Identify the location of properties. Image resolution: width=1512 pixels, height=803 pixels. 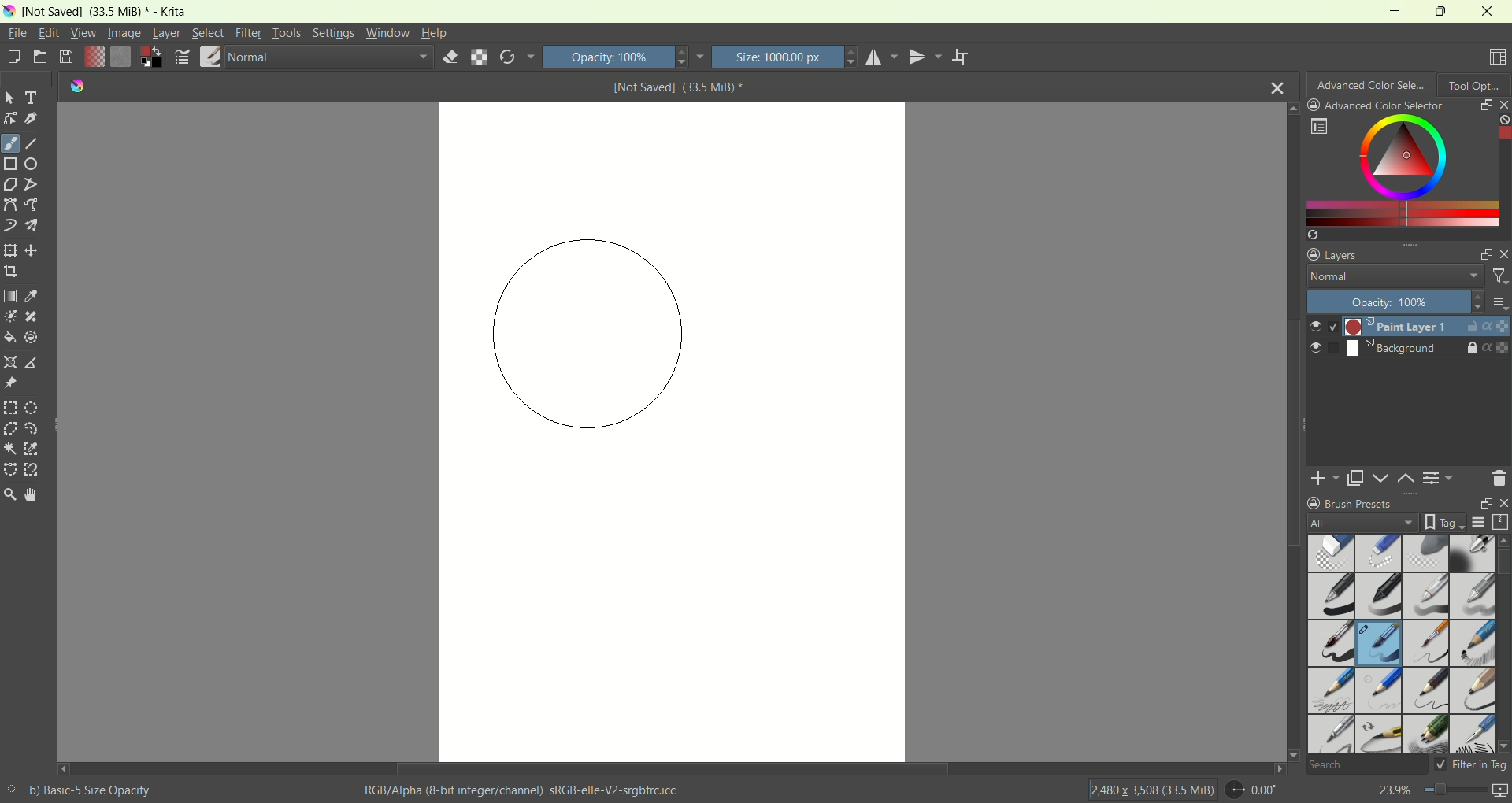
(1497, 348).